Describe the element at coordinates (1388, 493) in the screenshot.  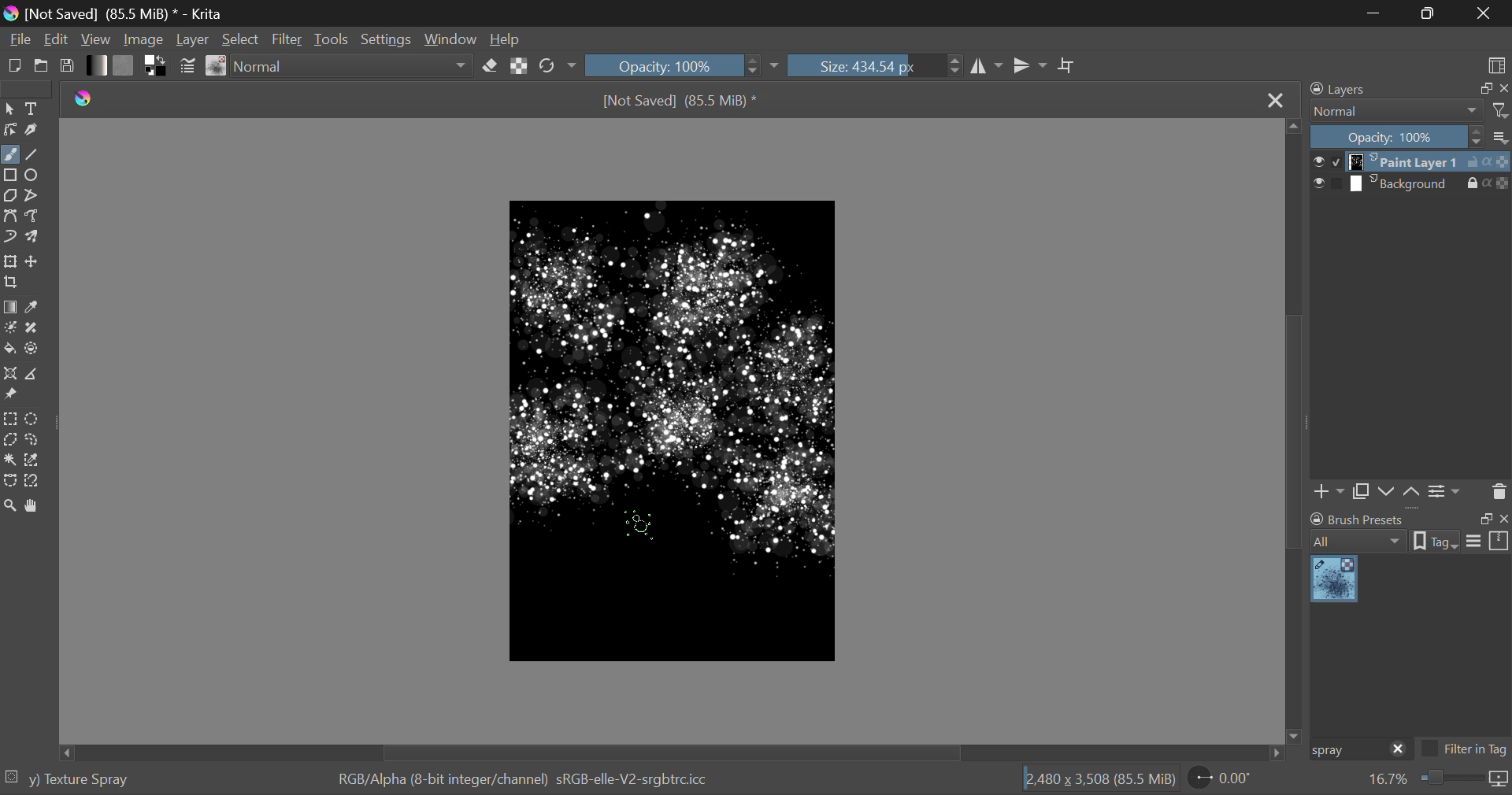
I see `Layer Movement down` at that location.